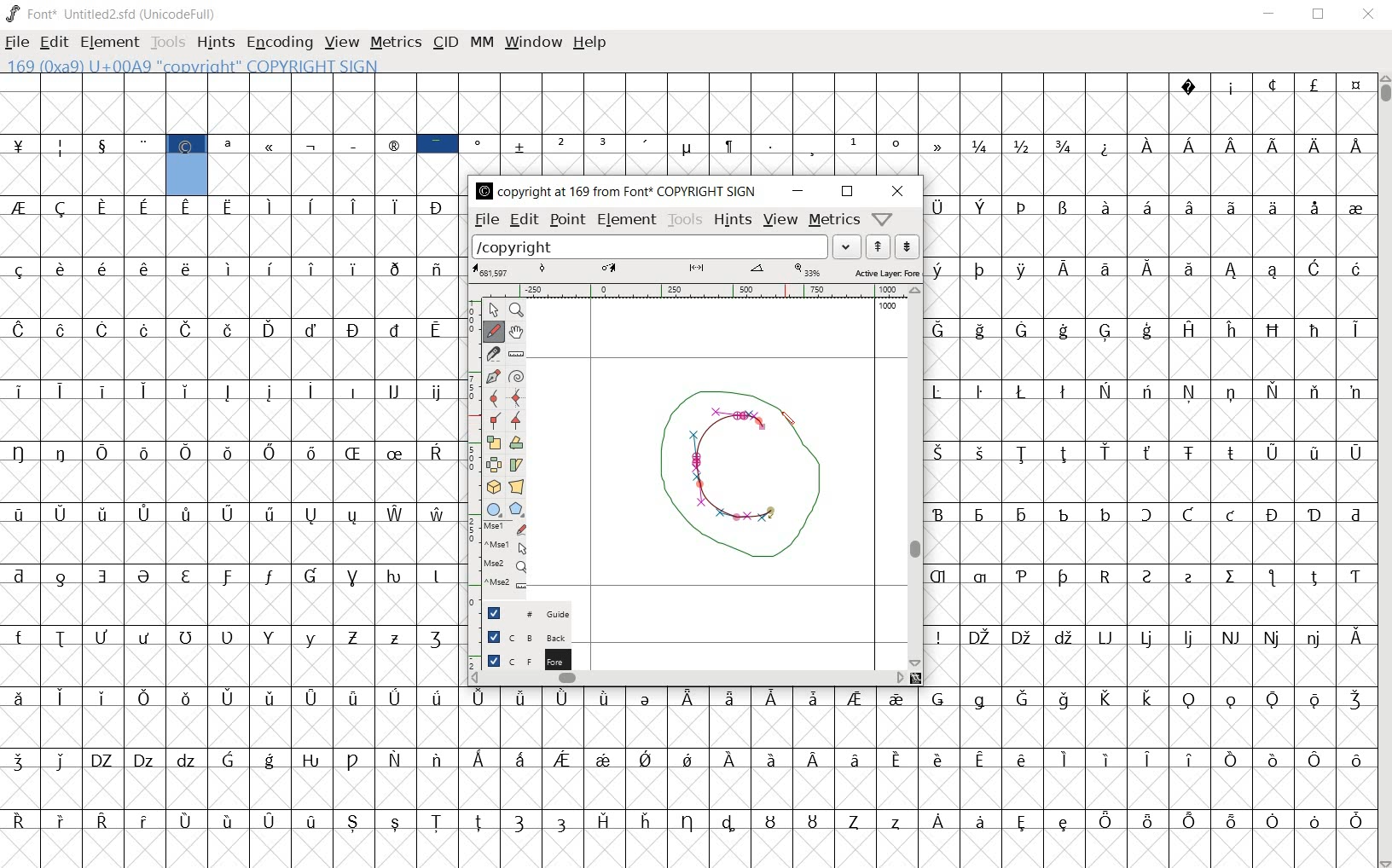 This screenshot has width=1392, height=868. Describe the element at coordinates (684, 219) in the screenshot. I see `tools` at that location.